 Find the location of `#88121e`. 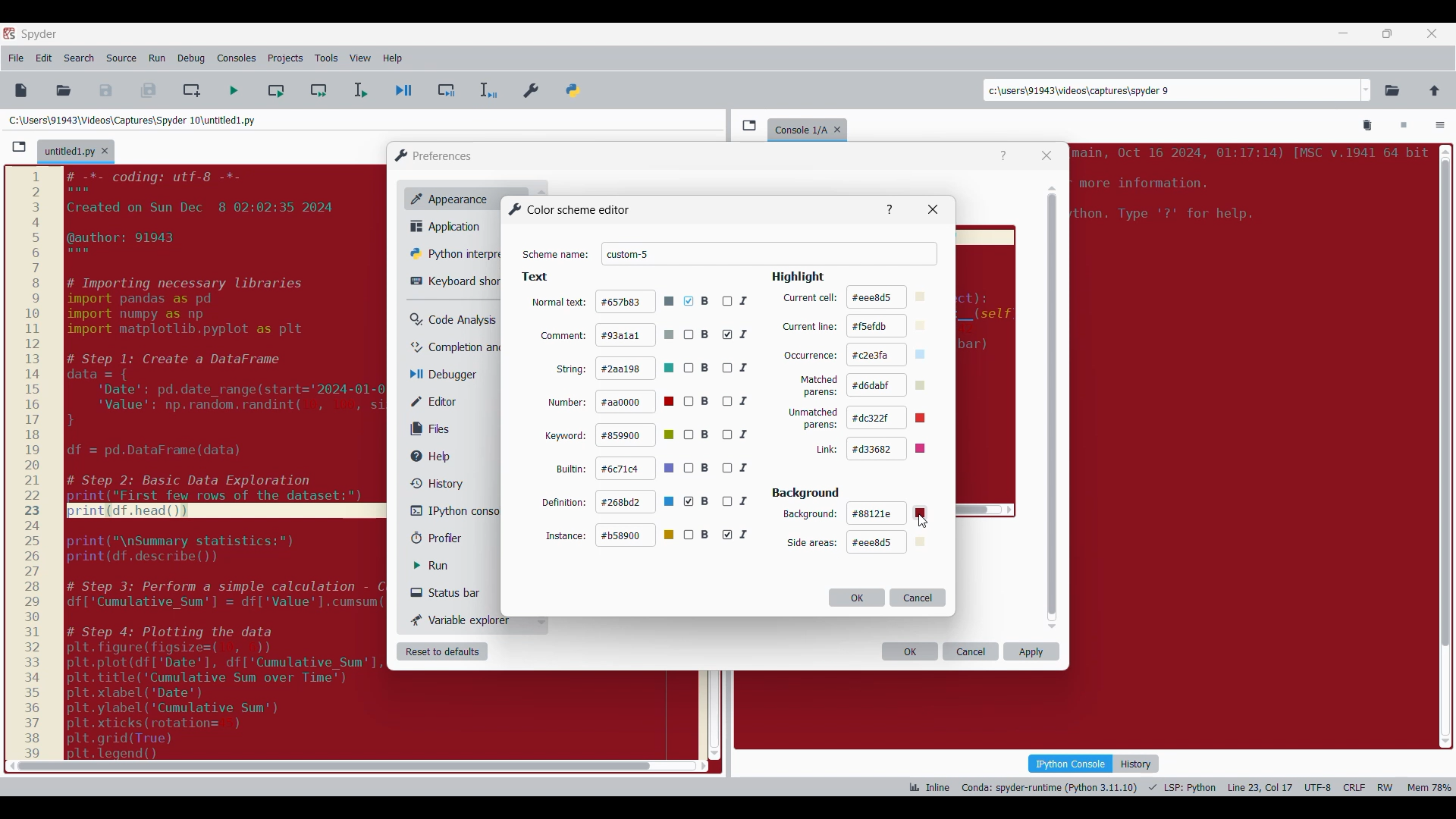

#88121e is located at coordinates (889, 513).